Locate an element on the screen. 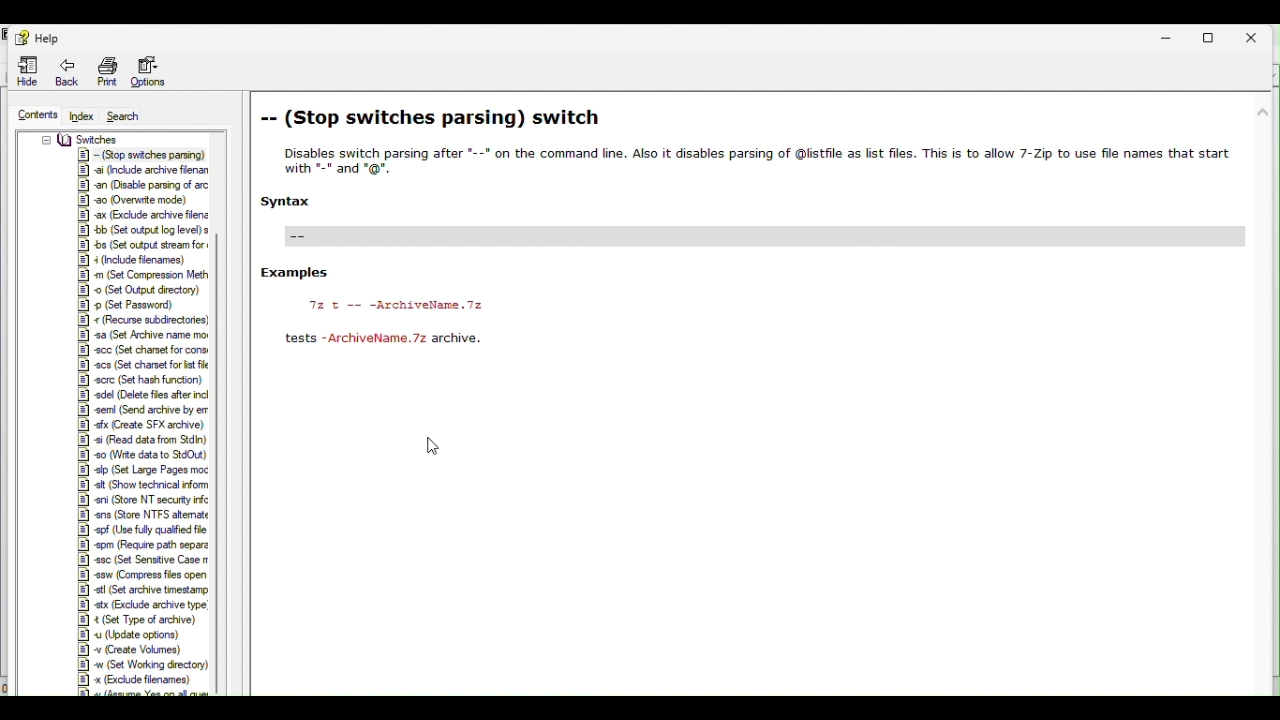 The height and width of the screenshot is (720, 1280).  is located at coordinates (134, 304).